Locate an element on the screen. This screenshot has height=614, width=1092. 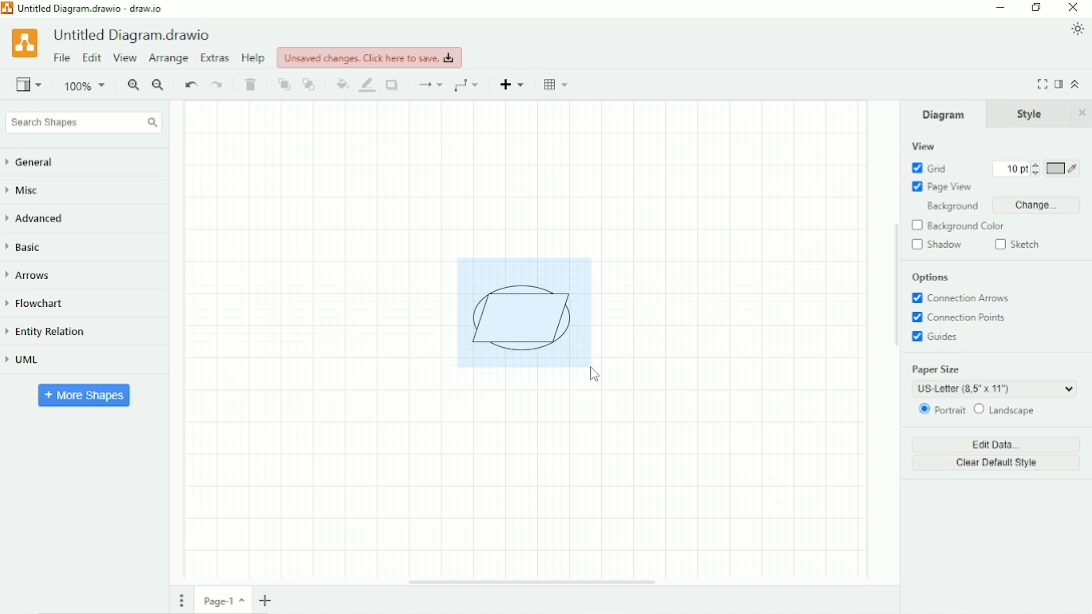
UML is located at coordinates (31, 361).